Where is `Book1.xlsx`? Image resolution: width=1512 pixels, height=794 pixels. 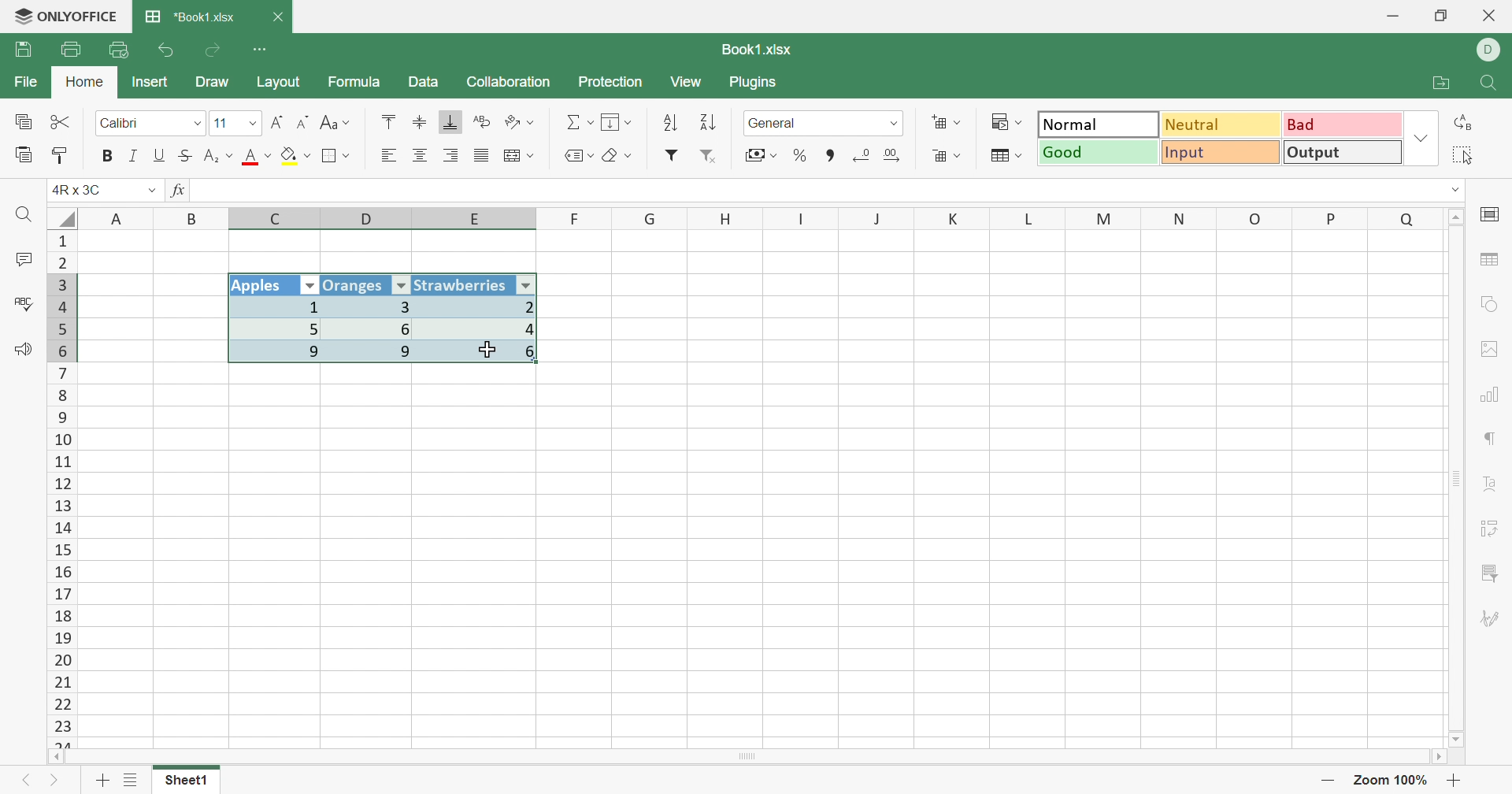
Book1.xlsx is located at coordinates (754, 50).